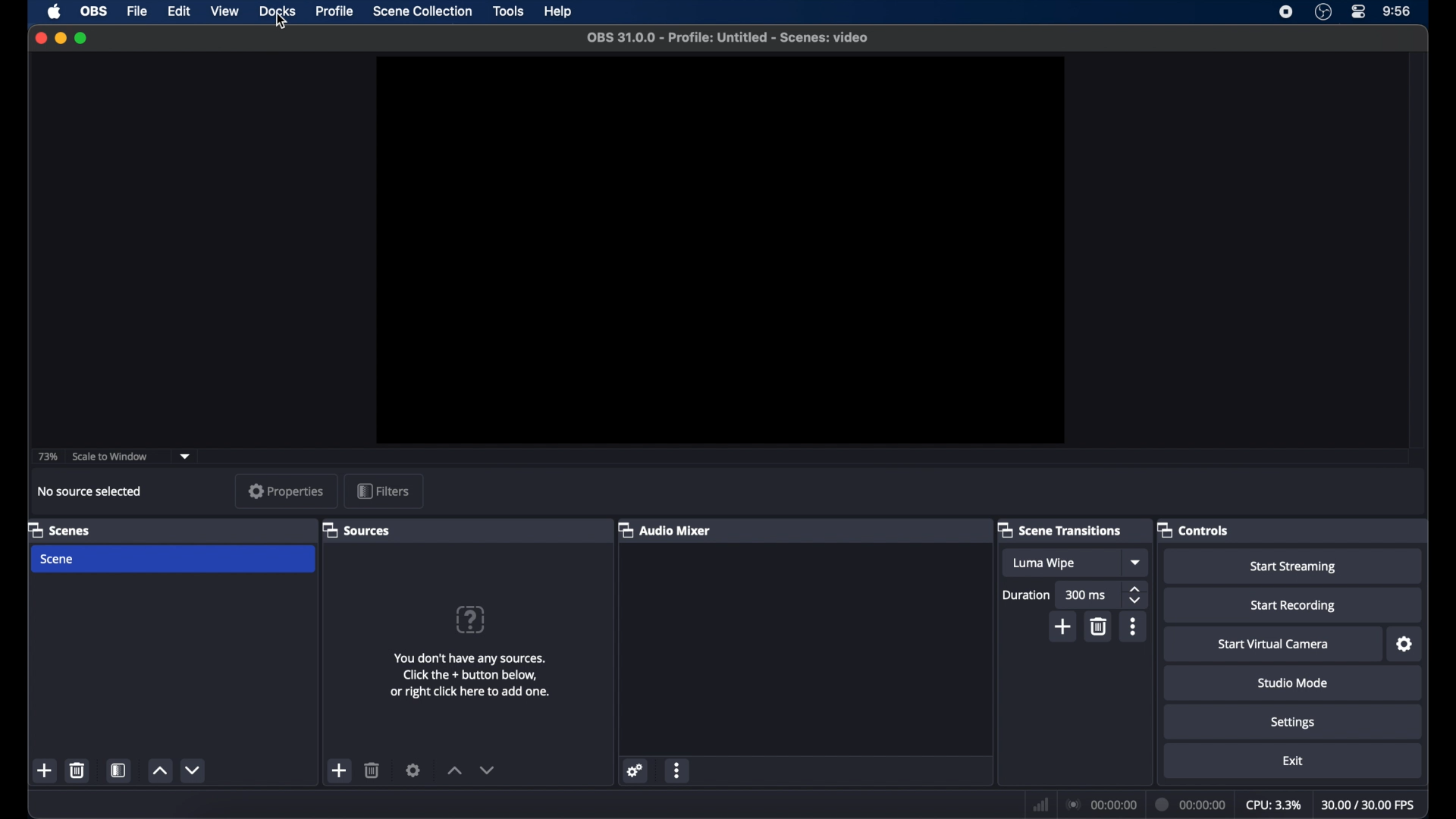  I want to click on scene transitions, so click(1065, 531).